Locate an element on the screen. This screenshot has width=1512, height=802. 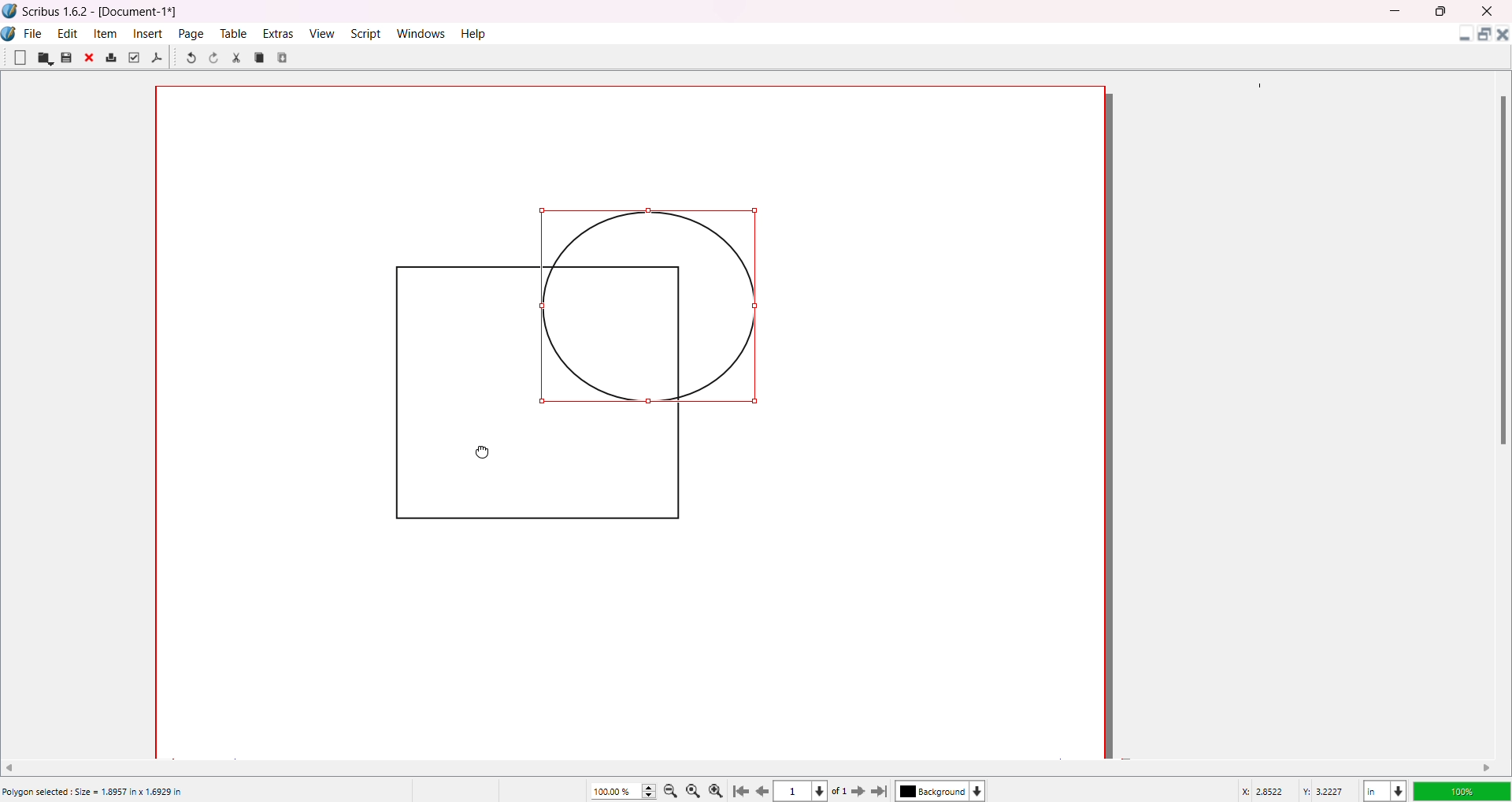
Current page is located at coordinates (795, 792).